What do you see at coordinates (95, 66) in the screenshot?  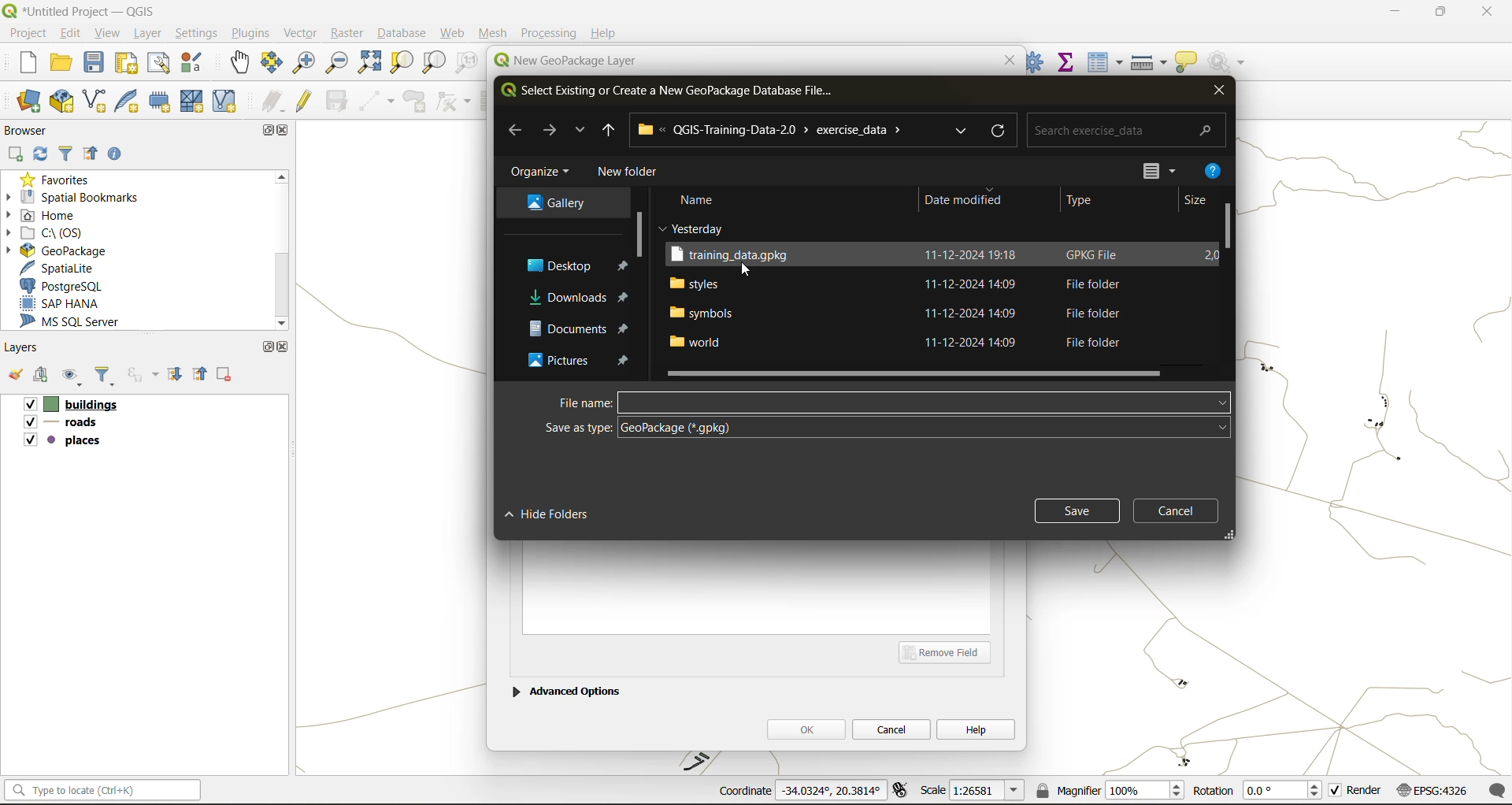 I see `save` at bounding box center [95, 66].